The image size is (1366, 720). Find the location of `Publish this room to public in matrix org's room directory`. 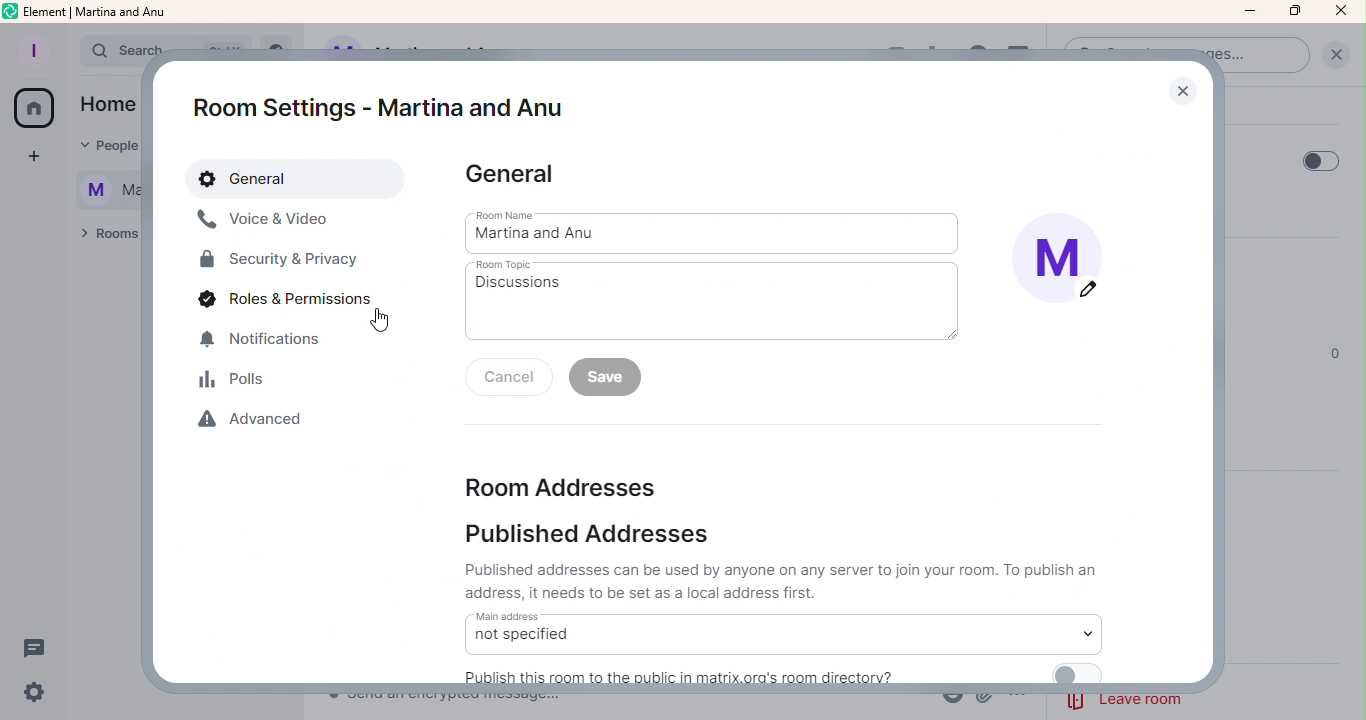

Publish this room to public in matrix org's room directory is located at coordinates (780, 672).